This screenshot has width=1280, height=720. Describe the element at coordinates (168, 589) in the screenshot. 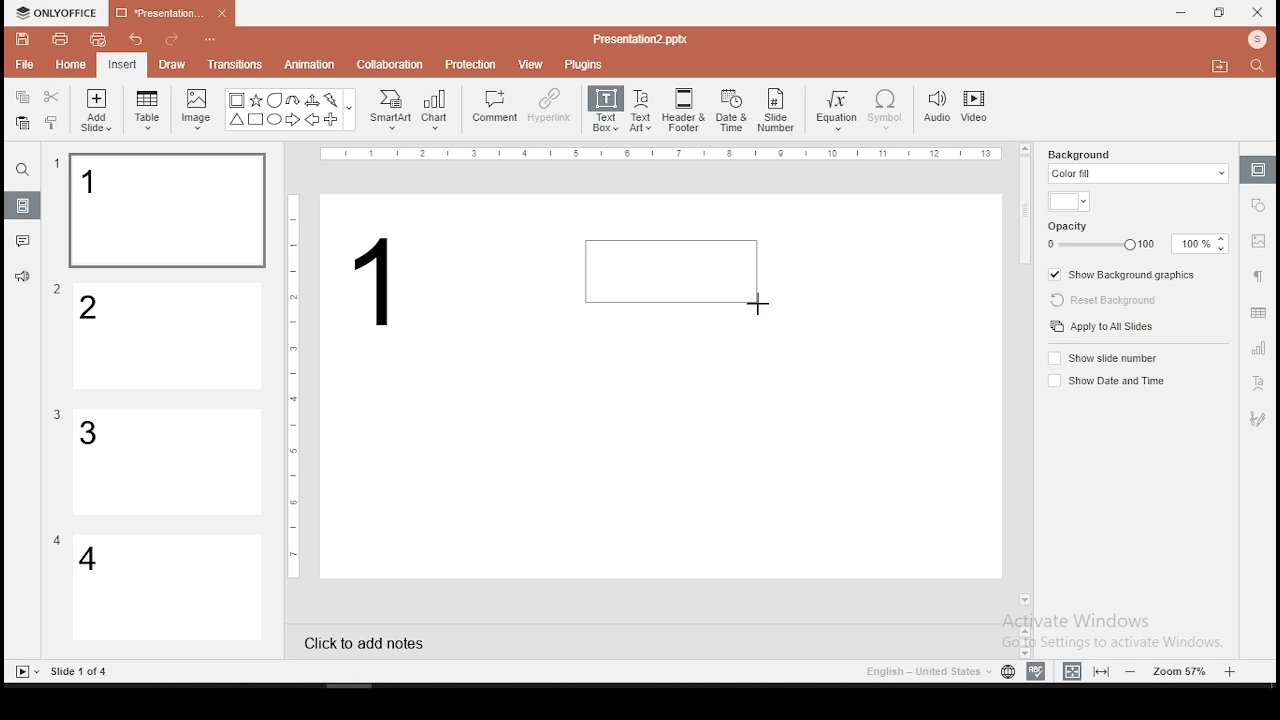

I see `slide 4` at that location.